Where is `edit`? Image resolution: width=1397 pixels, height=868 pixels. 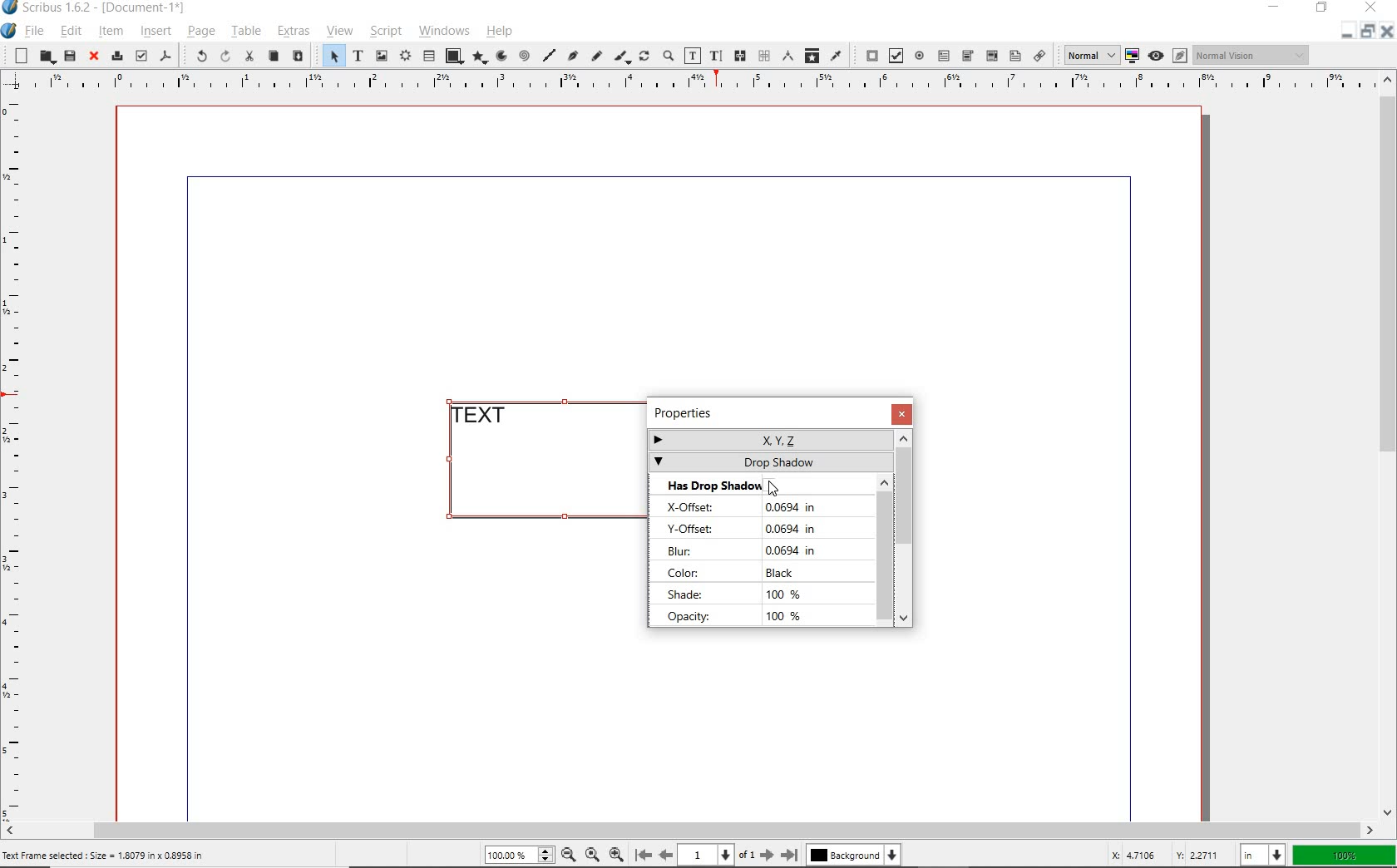
edit is located at coordinates (69, 32).